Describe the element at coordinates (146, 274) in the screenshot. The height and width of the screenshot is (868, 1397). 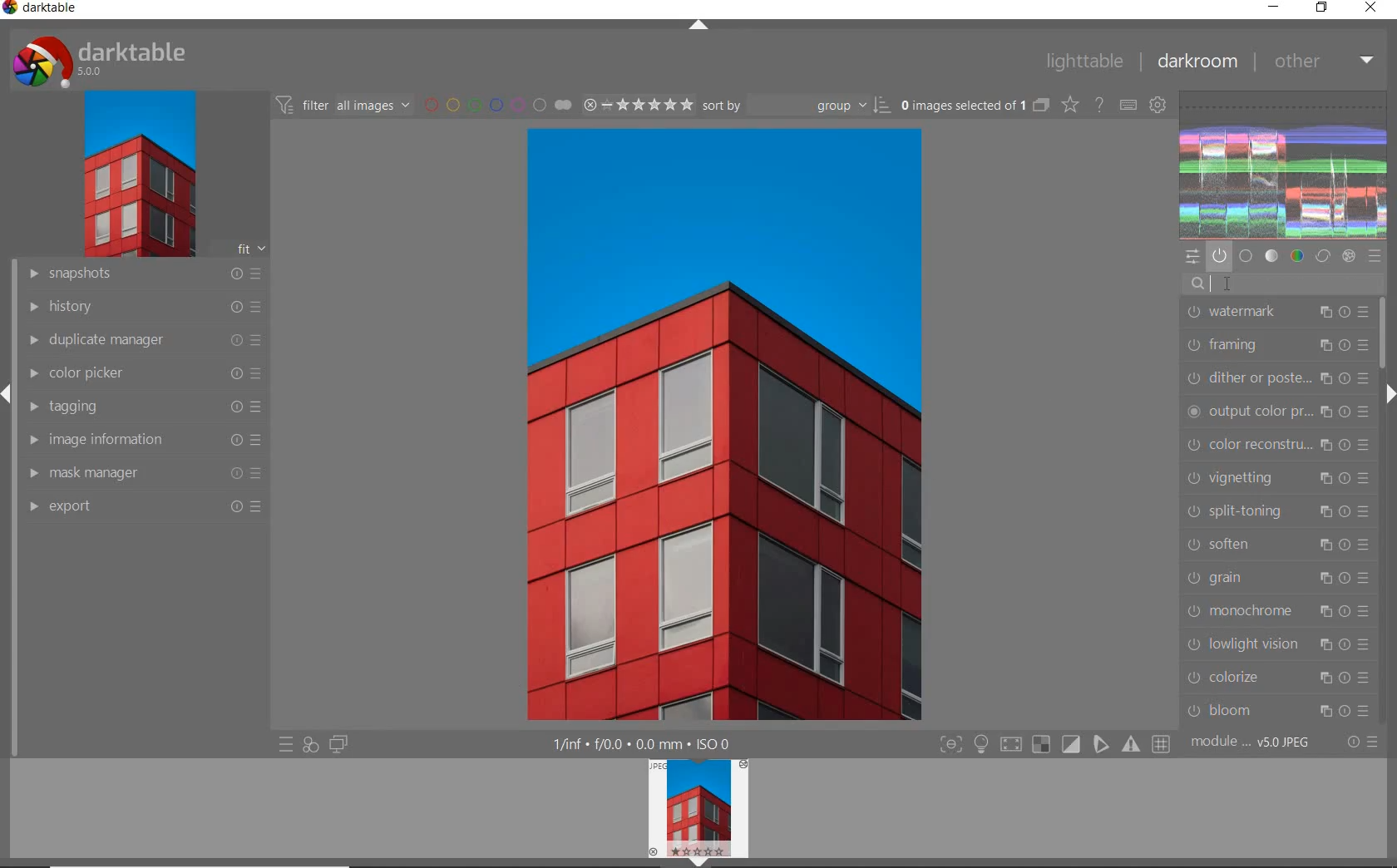
I see `snapshot` at that location.